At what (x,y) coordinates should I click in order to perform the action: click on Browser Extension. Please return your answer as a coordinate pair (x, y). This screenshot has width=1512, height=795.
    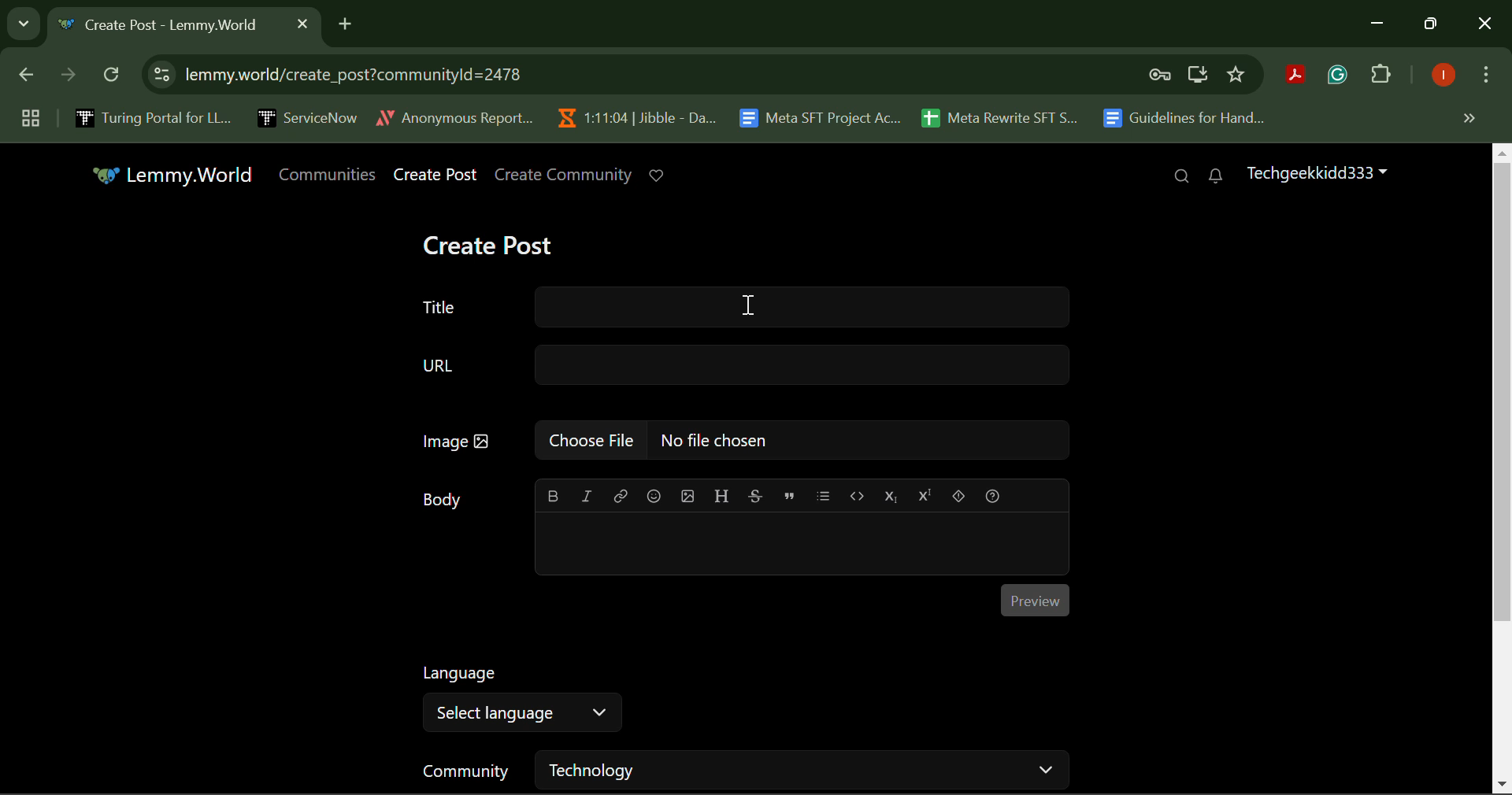
    Looking at the image, I should click on (1341, 76).